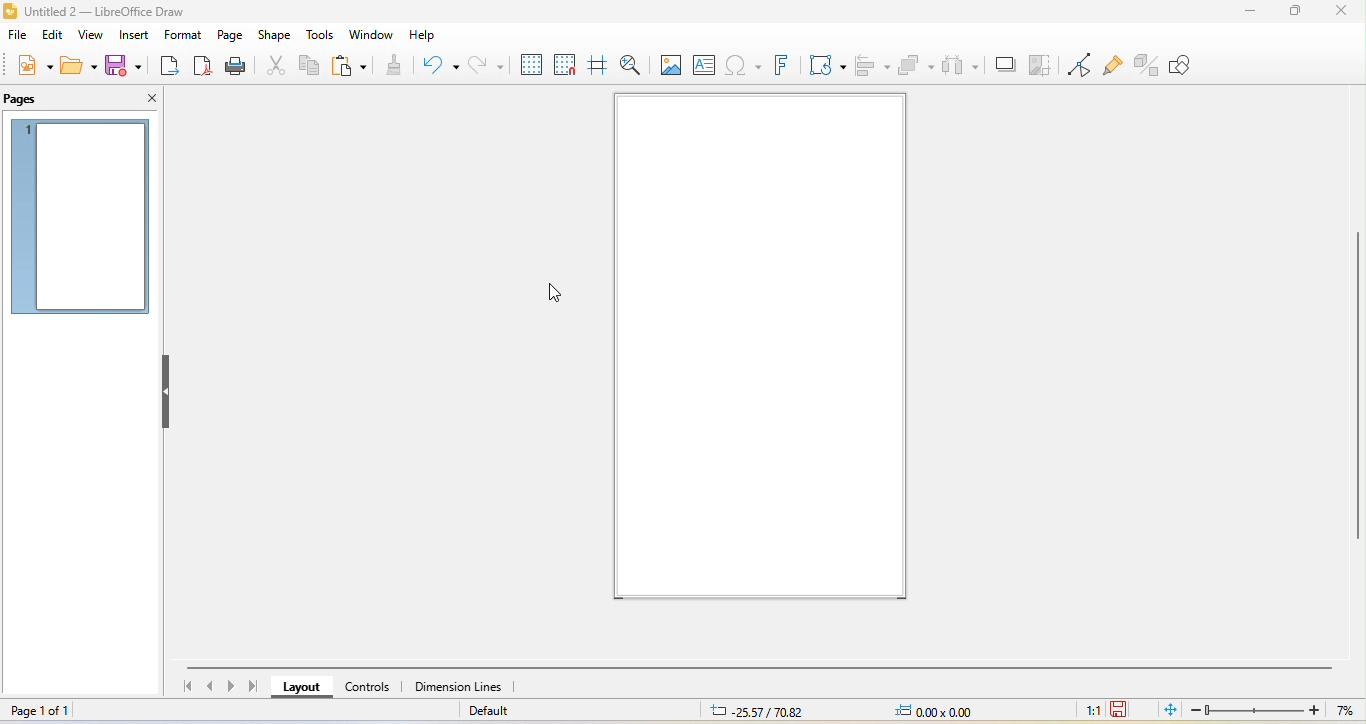 The height and width of the screenshot is (724, 1366). What do you see at coordinates (501, 713) in the screenshot?
I see `default` at bounding box center [501, 713].